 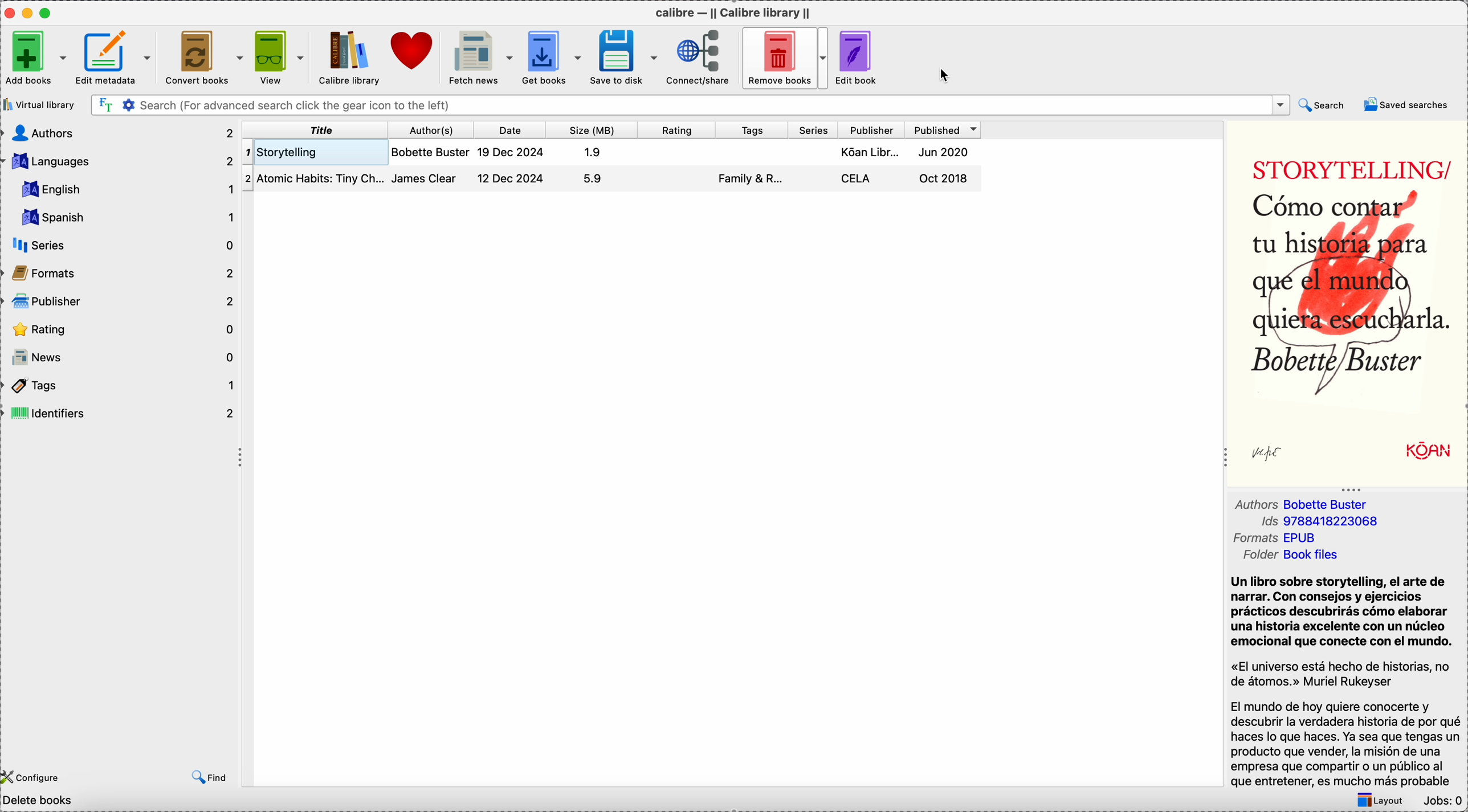 What do you see at coordinates (1383, 801) in the screenshot?
I see `layout` at bounding box center [1383, 801].